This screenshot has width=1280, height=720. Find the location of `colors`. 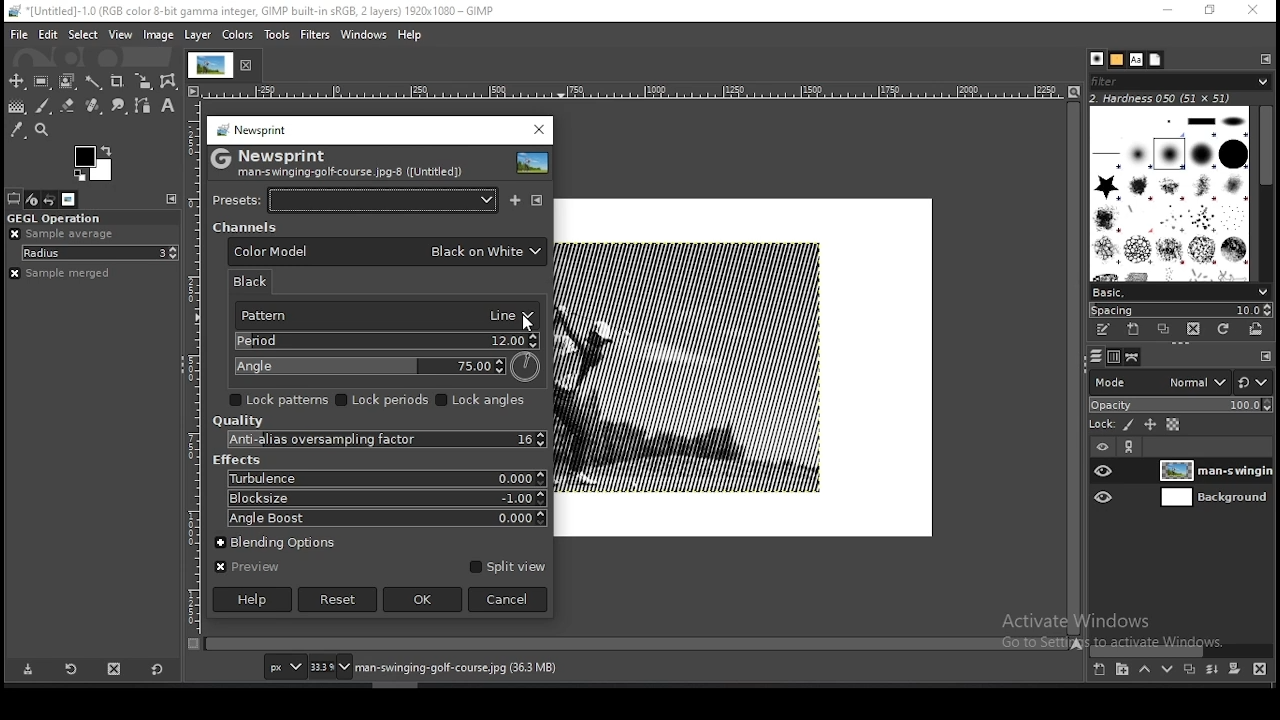

colors is located at coordinates (93, 163).